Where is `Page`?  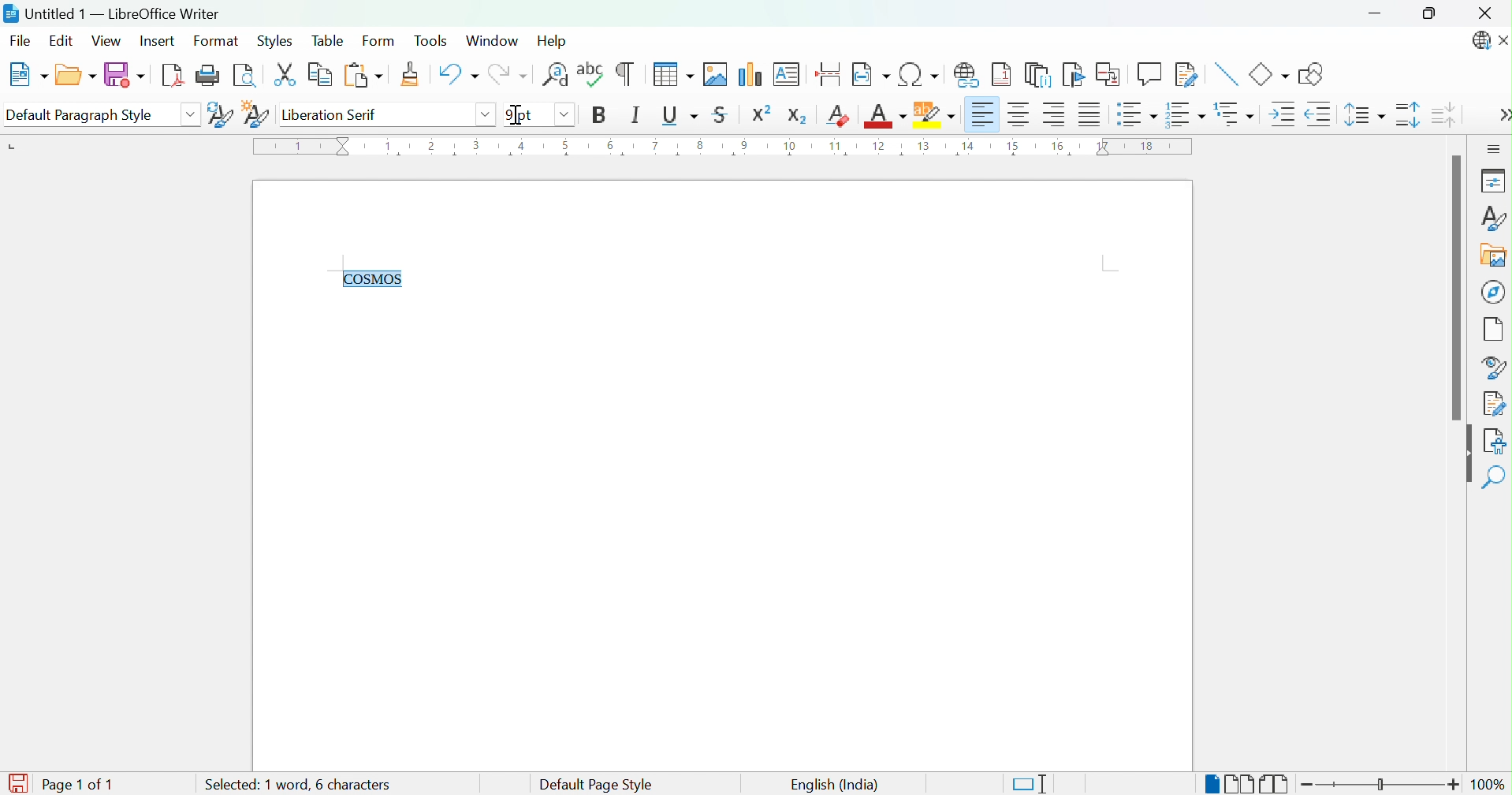
Page is located at coordinates (1495, 328).